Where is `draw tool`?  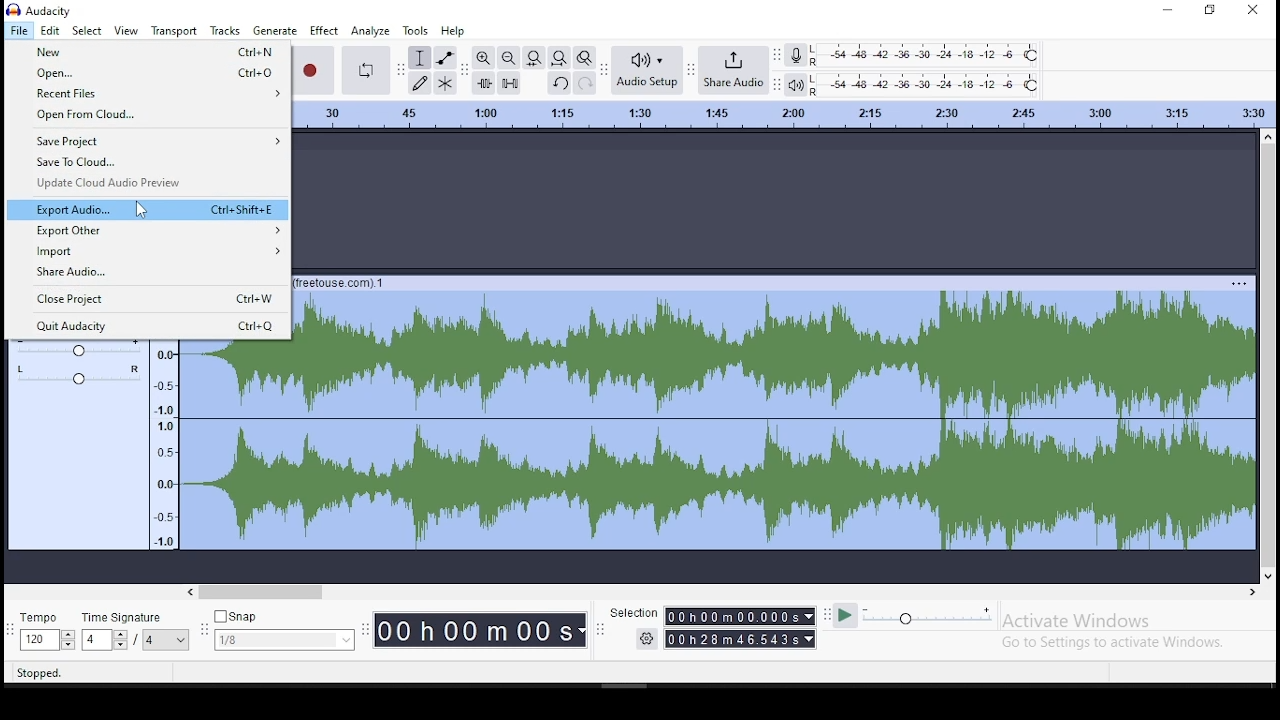 draw tool is located at coordinates (419, 82).